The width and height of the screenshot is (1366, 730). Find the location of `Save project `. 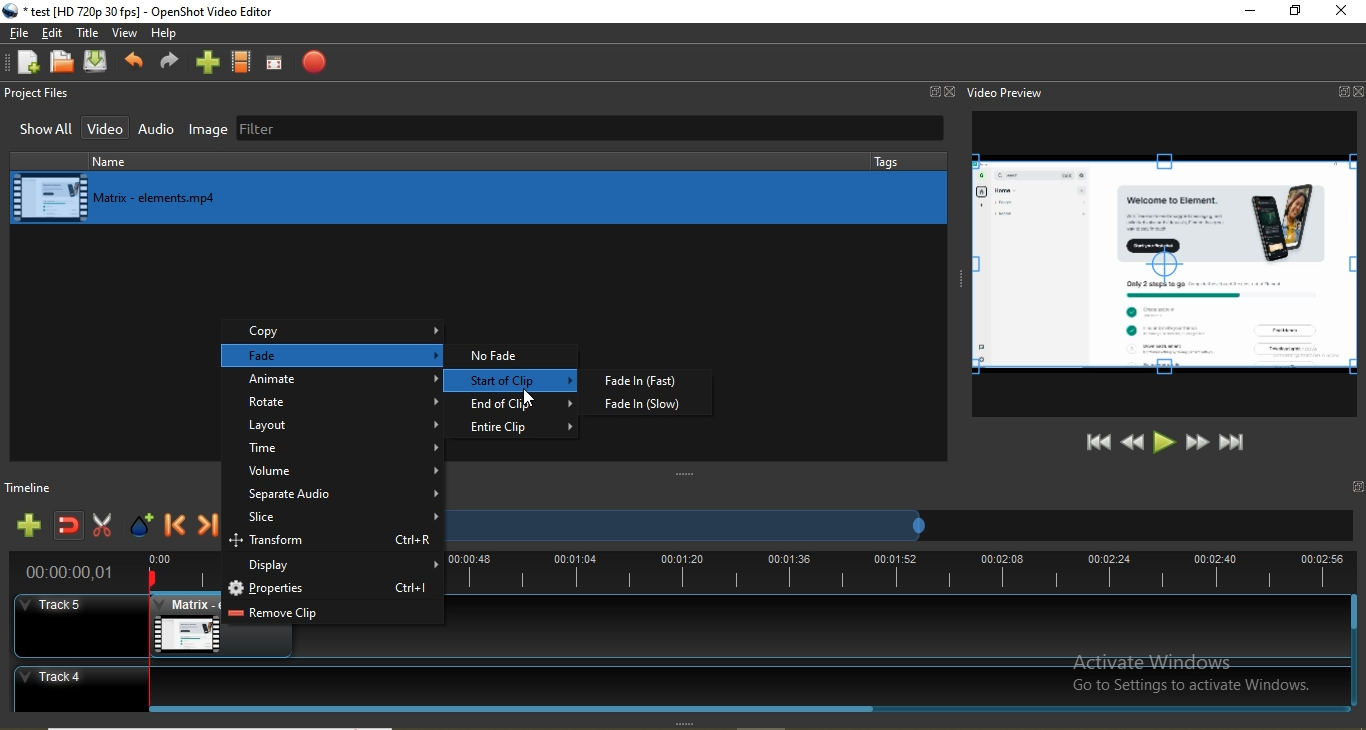

Save project  is located at coordinates (100, 63).